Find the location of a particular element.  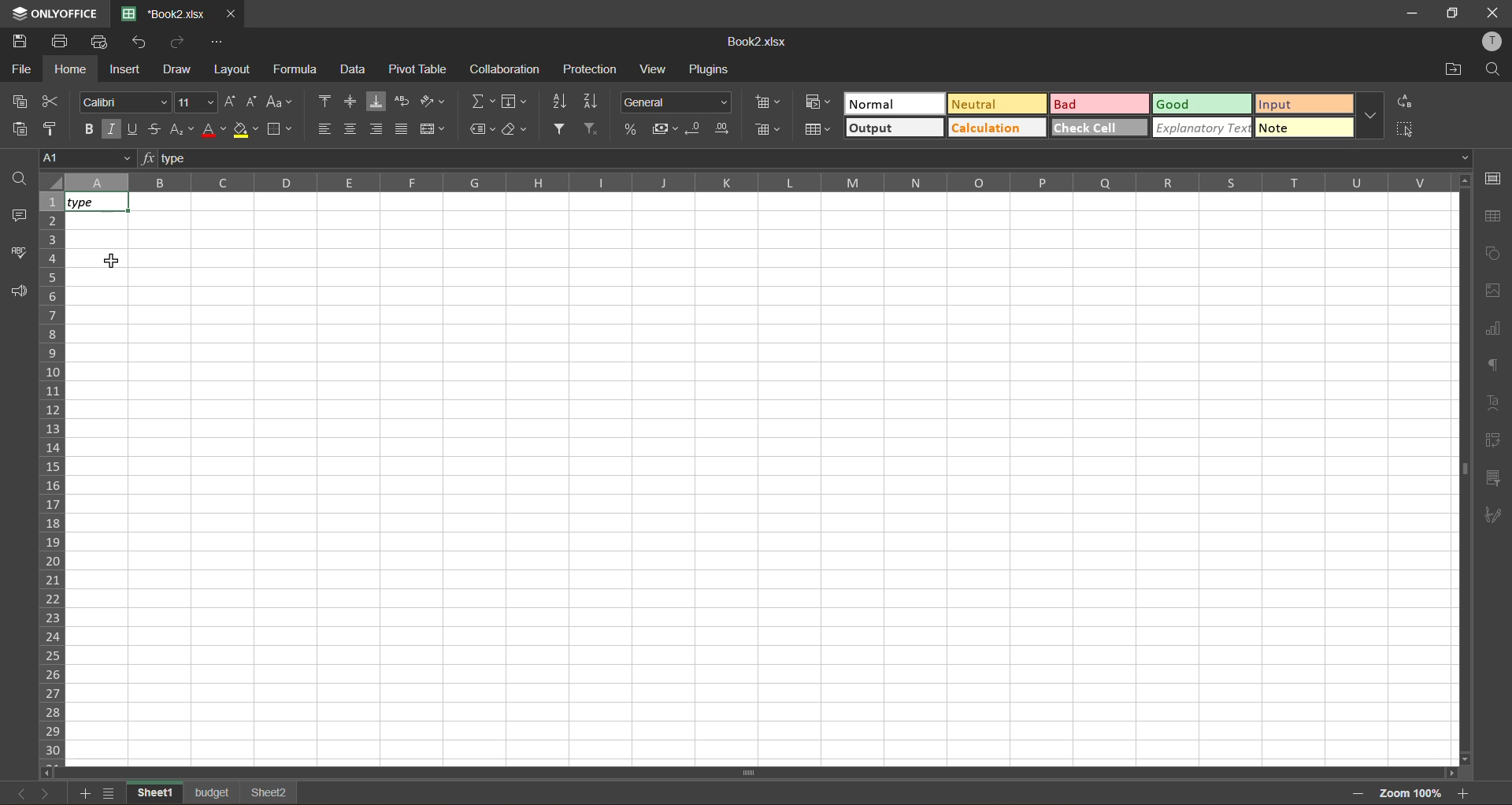

font style is located at coordinates (125, 100).